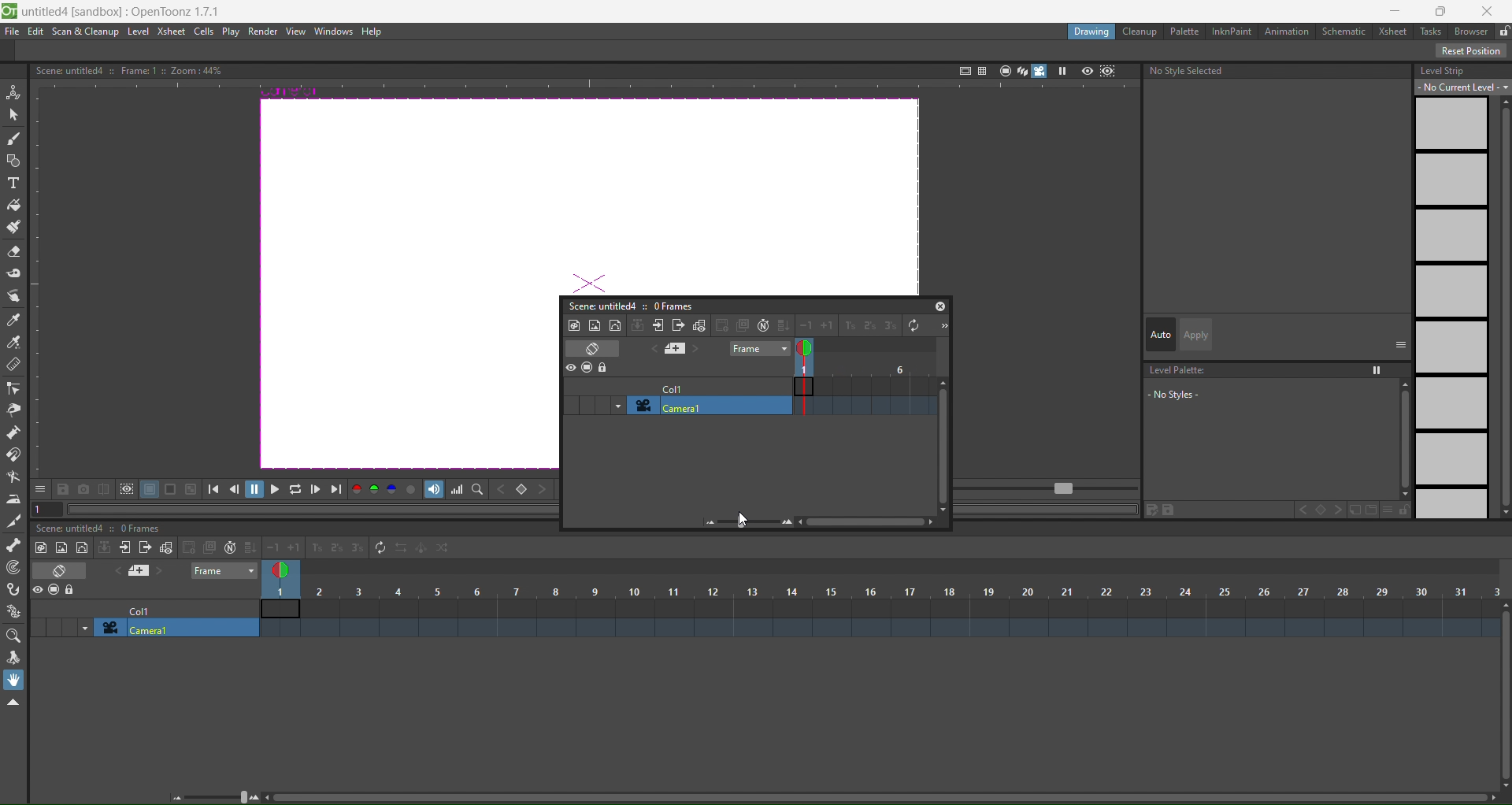 The image size is (1512, 805). Describe the element at coordinates (286, 568) in the screenshot. I see `double click to toggle onion skin` at that location.